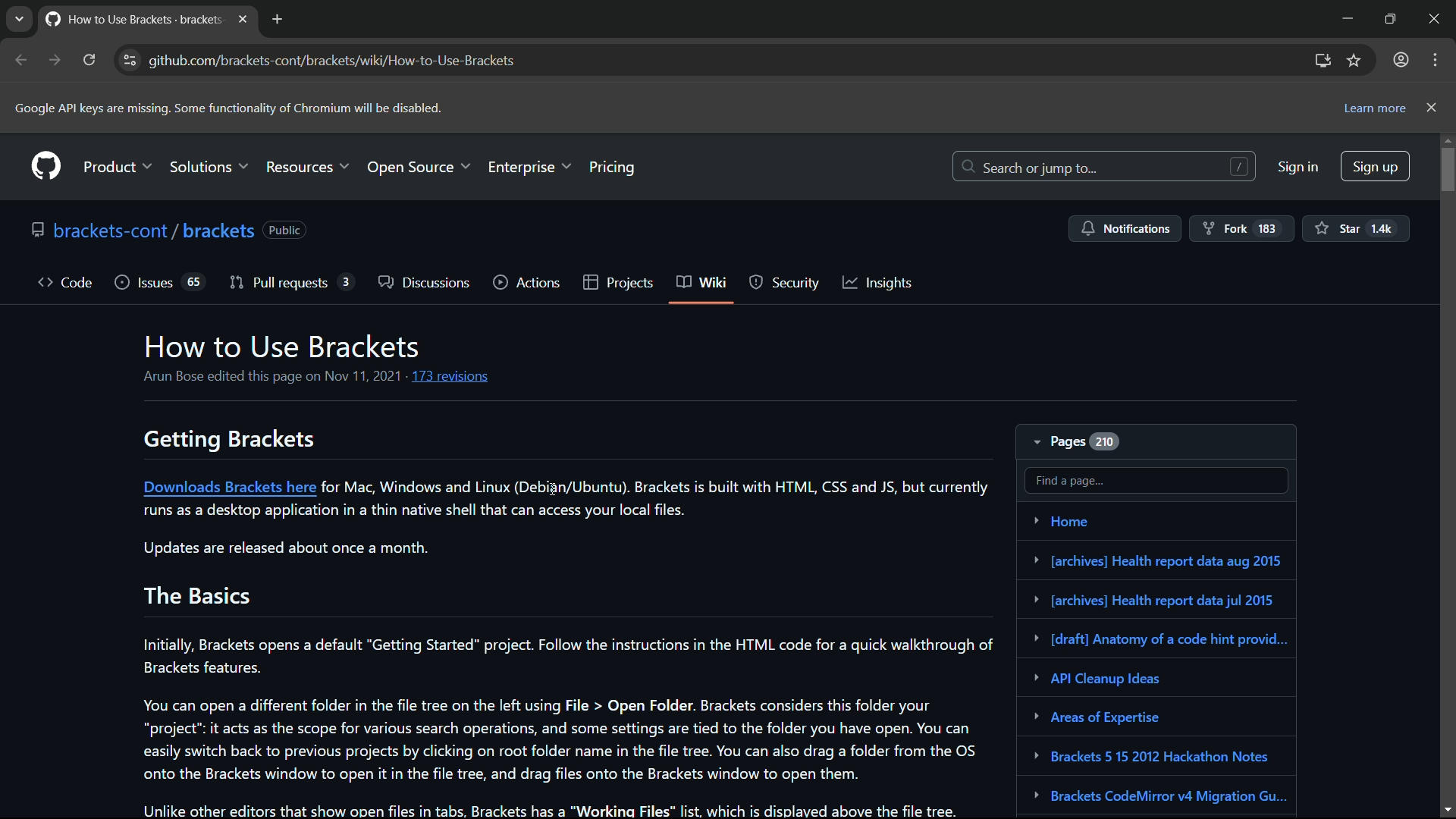 Image resolution: width=1456 pixels, height=819 pixels. Describe the element at coordinates (562, 723) in the screenshot. I see `Initially, Brackets opens a default "Getting Started” project. Follow the instructions in the HTML code for a quick walkthrough of
Brackets features.

You can open a different folder in the file tree on the left using File > Open Folder. Brackets considers this folder your
“project”: it acts as the scope for various search operations, and some settings are tied to the folder you have open. You can
easily switch back to previous projects by clicking on root folder name in the file tree. You can also drag a folder from the OS
onto the Brackets window to open it in the file tree, and drag files onto the Brackets window to open them.

Unlike other editors that show open files in tabs Brackets has a "Workina Files” list which is displaved above the file tree` at that location.